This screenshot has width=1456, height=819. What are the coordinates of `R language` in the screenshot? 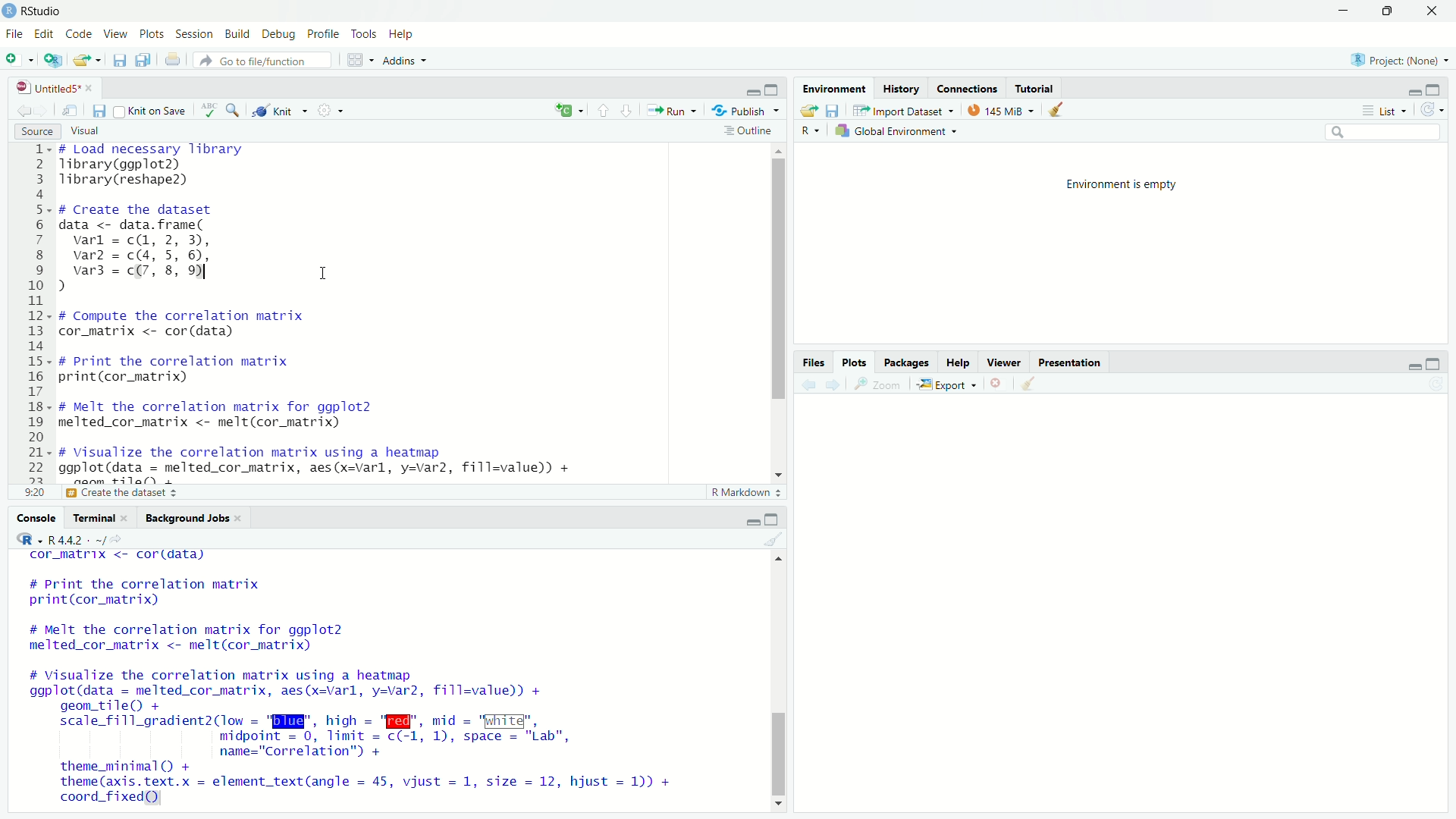 It's located at (811, 131).